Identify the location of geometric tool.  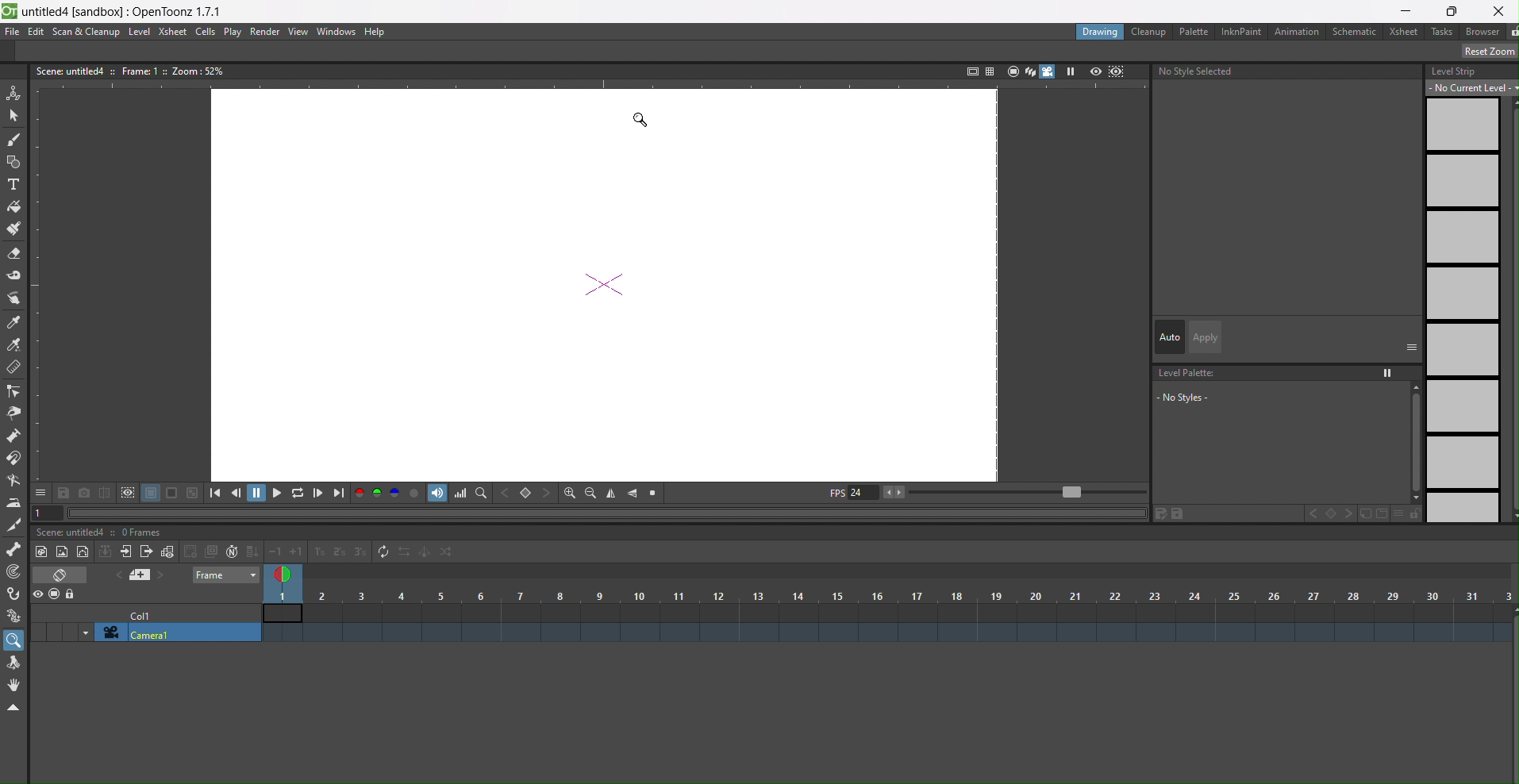
(14, 162).